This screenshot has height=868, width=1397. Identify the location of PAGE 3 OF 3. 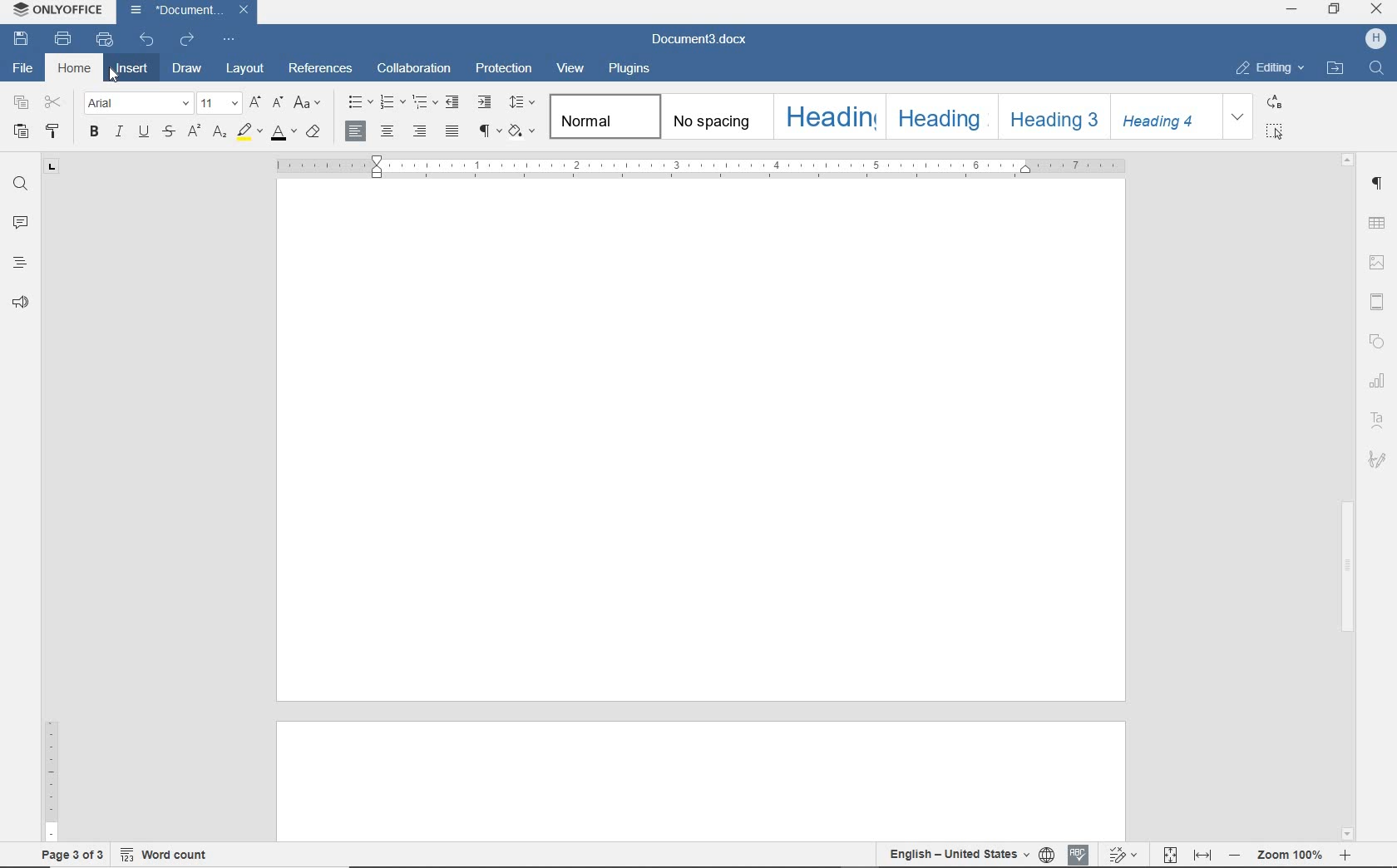
(69, 852).